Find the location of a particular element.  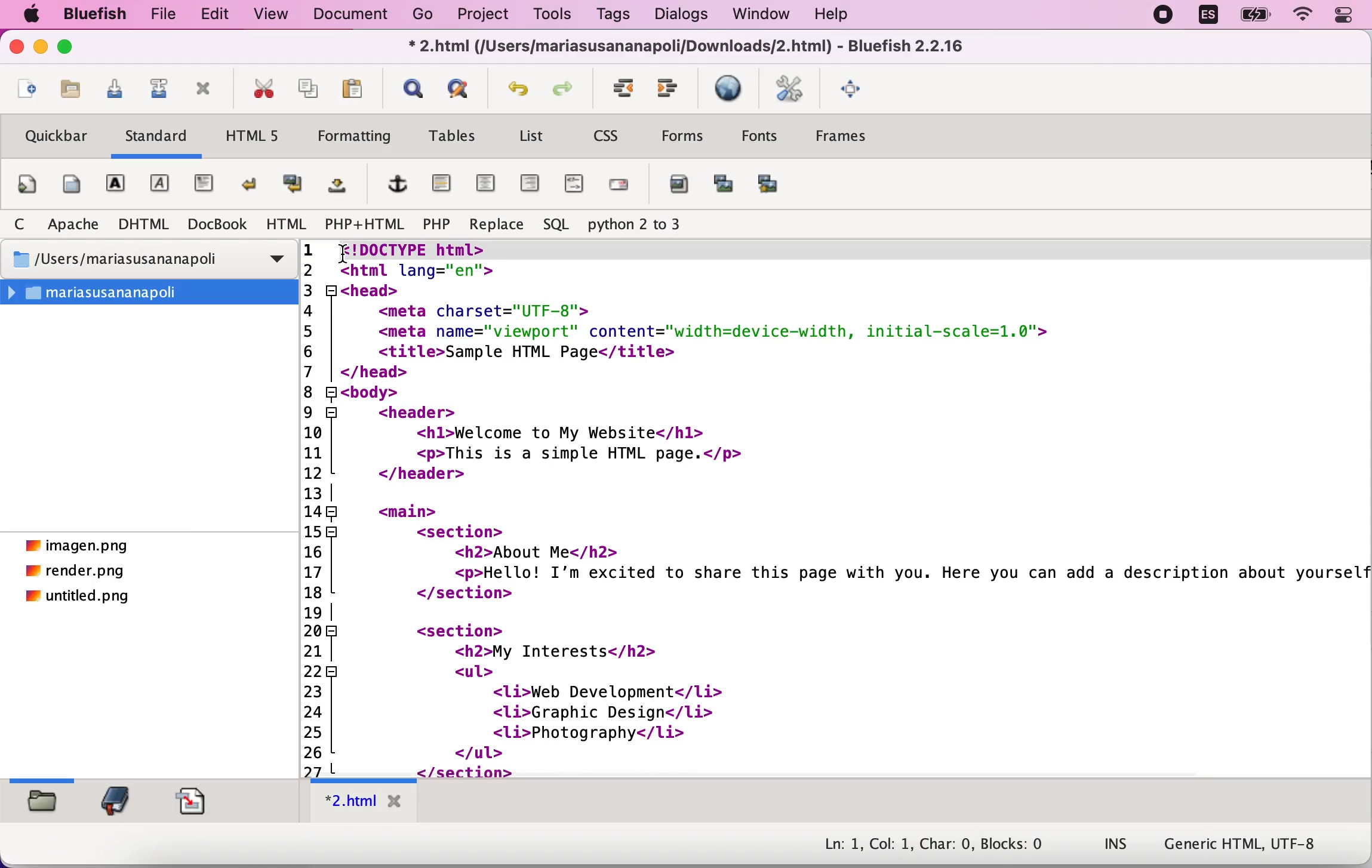

file is located at coordinates (162, 14).